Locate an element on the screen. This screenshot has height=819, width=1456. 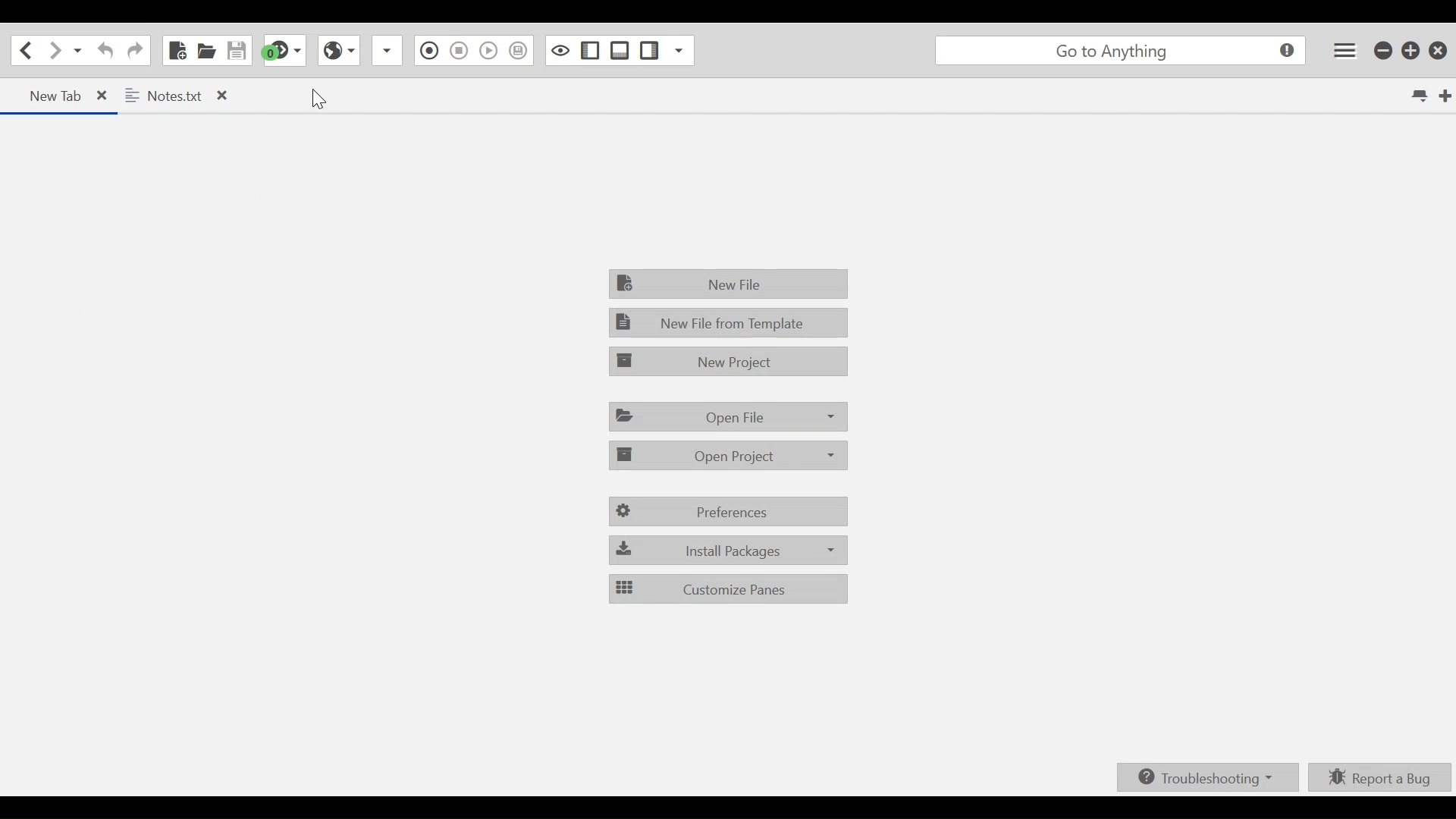
pause is located at coordinates (460, 51).